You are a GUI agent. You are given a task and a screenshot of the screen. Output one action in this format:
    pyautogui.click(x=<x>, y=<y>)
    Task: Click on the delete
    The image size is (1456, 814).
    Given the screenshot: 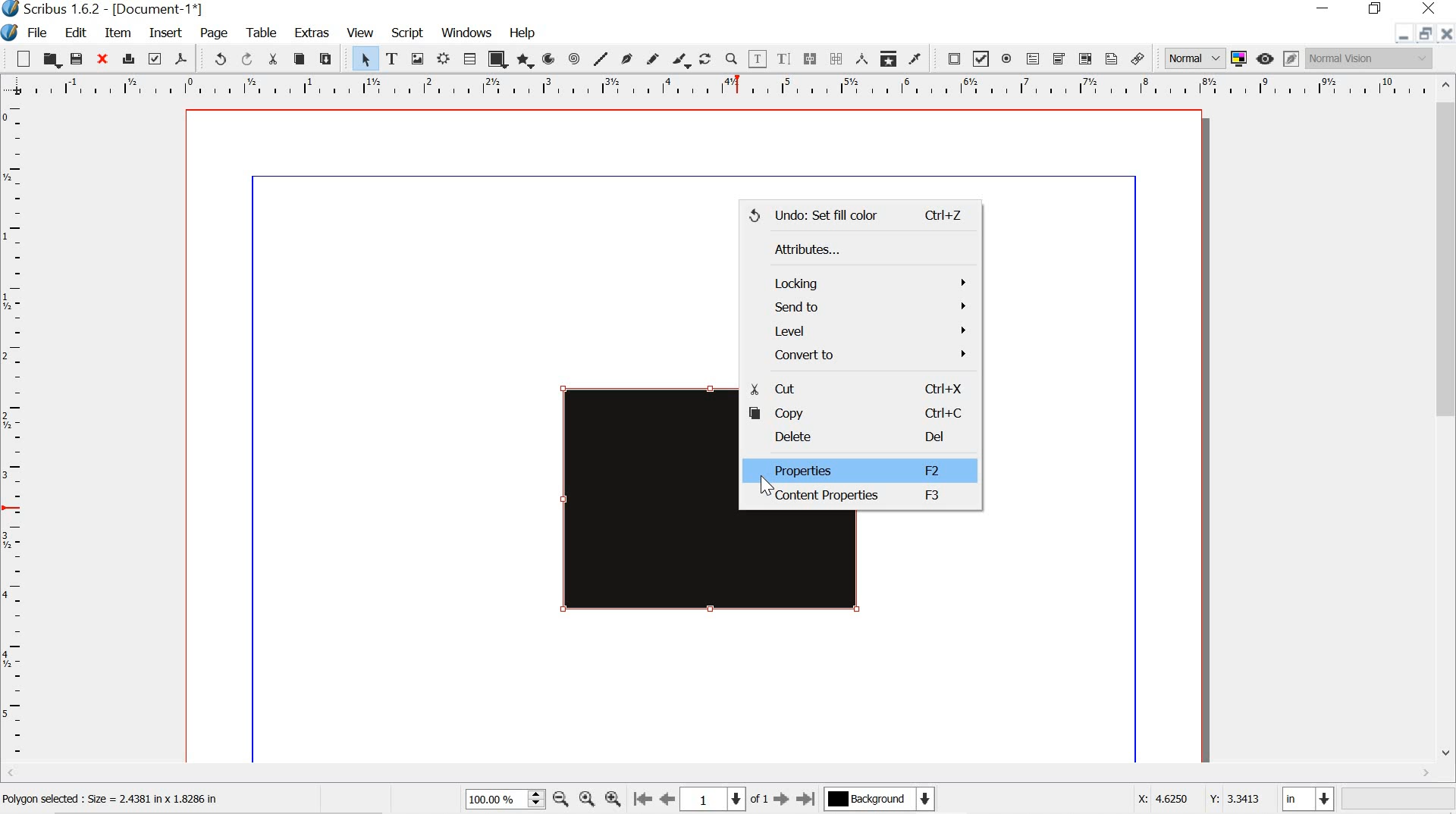 What is the action you would take?
    pyautogui.click(x=856, y=439)
    